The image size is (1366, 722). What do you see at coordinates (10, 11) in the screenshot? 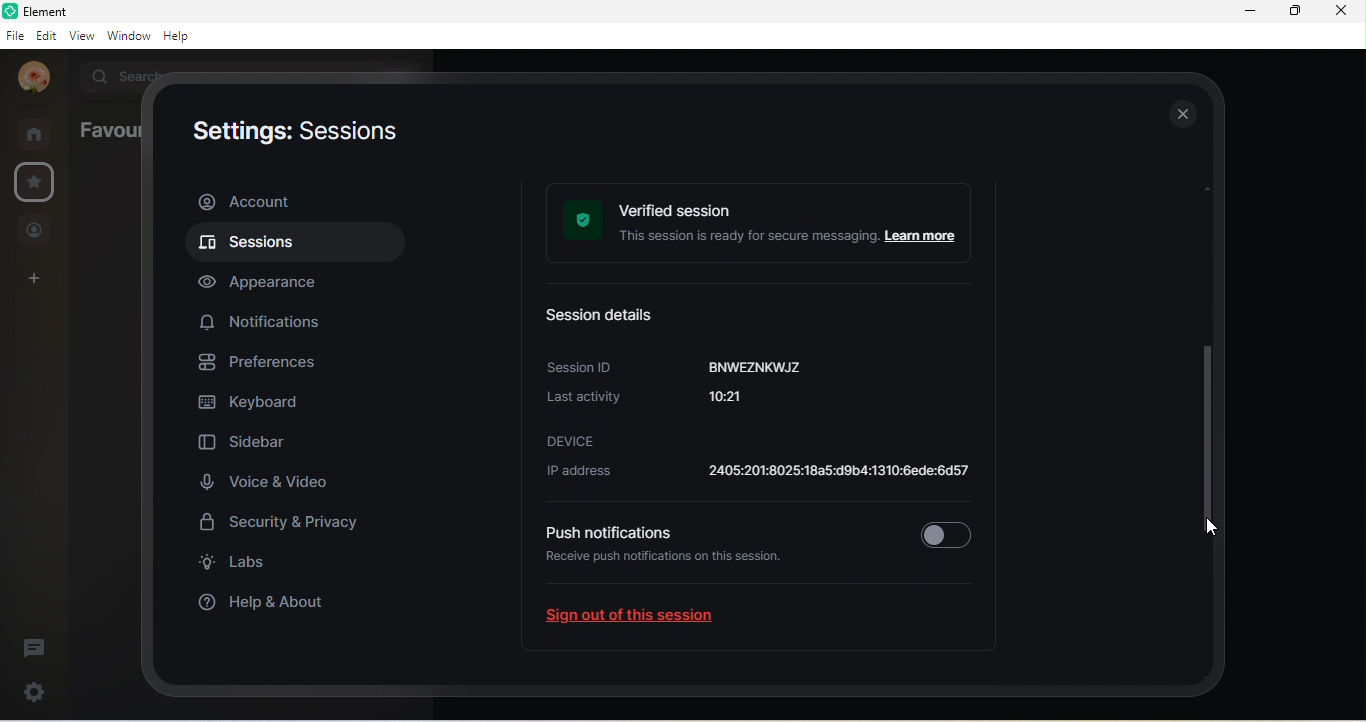
I see `element logo` at bounding box center [10, 11].